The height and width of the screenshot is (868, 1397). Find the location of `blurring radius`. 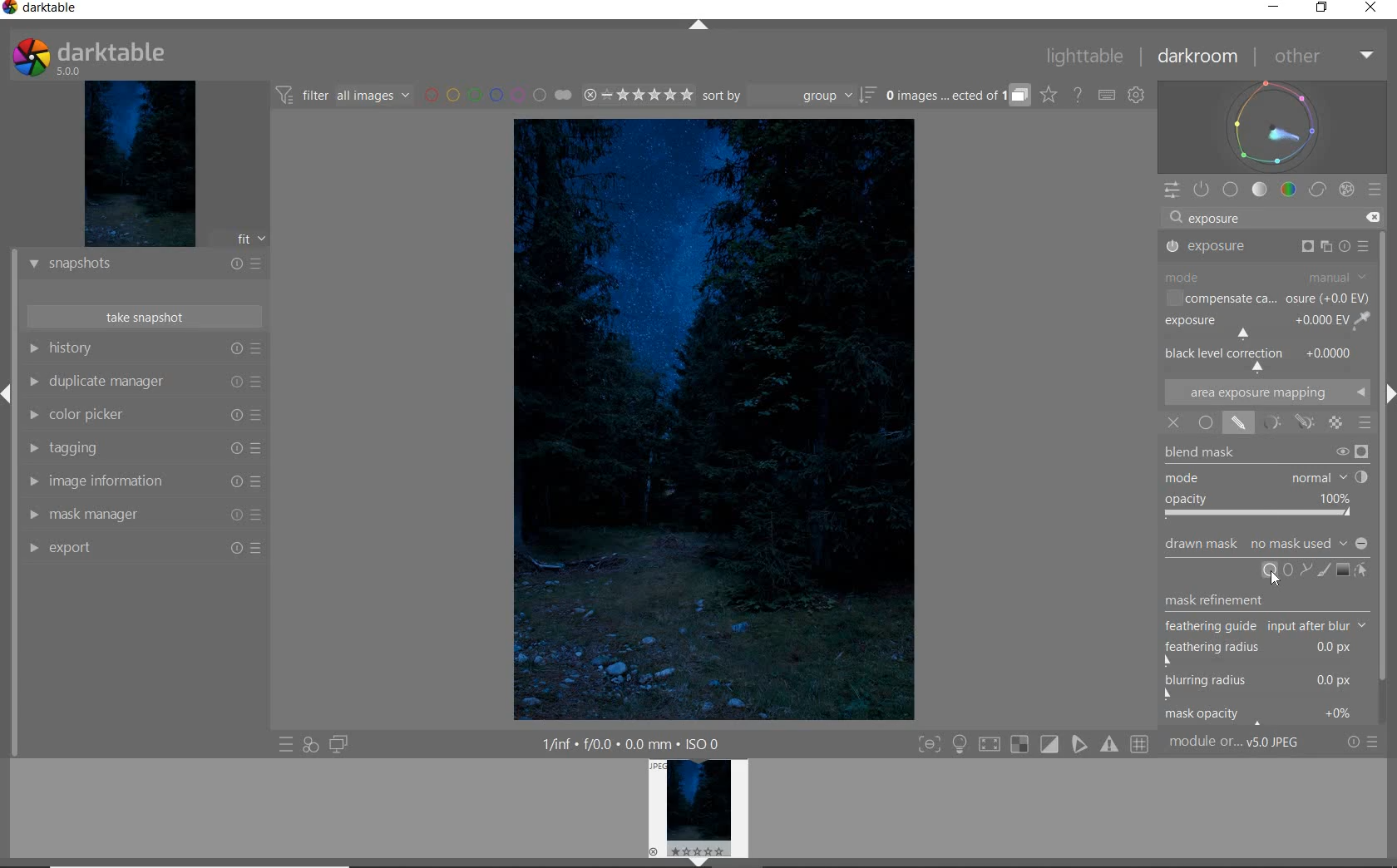

blurring radius is located at coordinates (1260, 688).